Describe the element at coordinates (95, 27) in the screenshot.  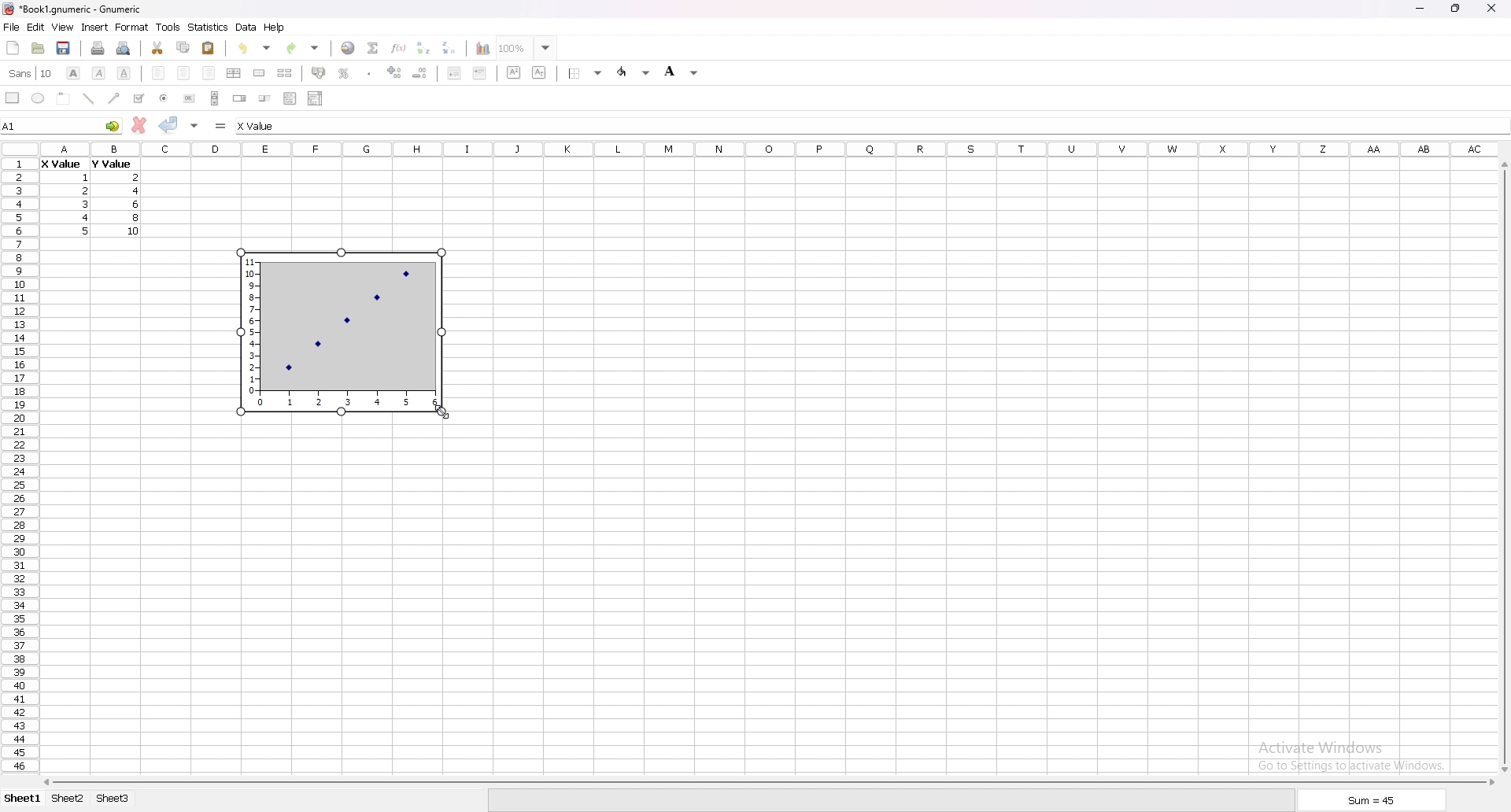
I see `insert` at that location.